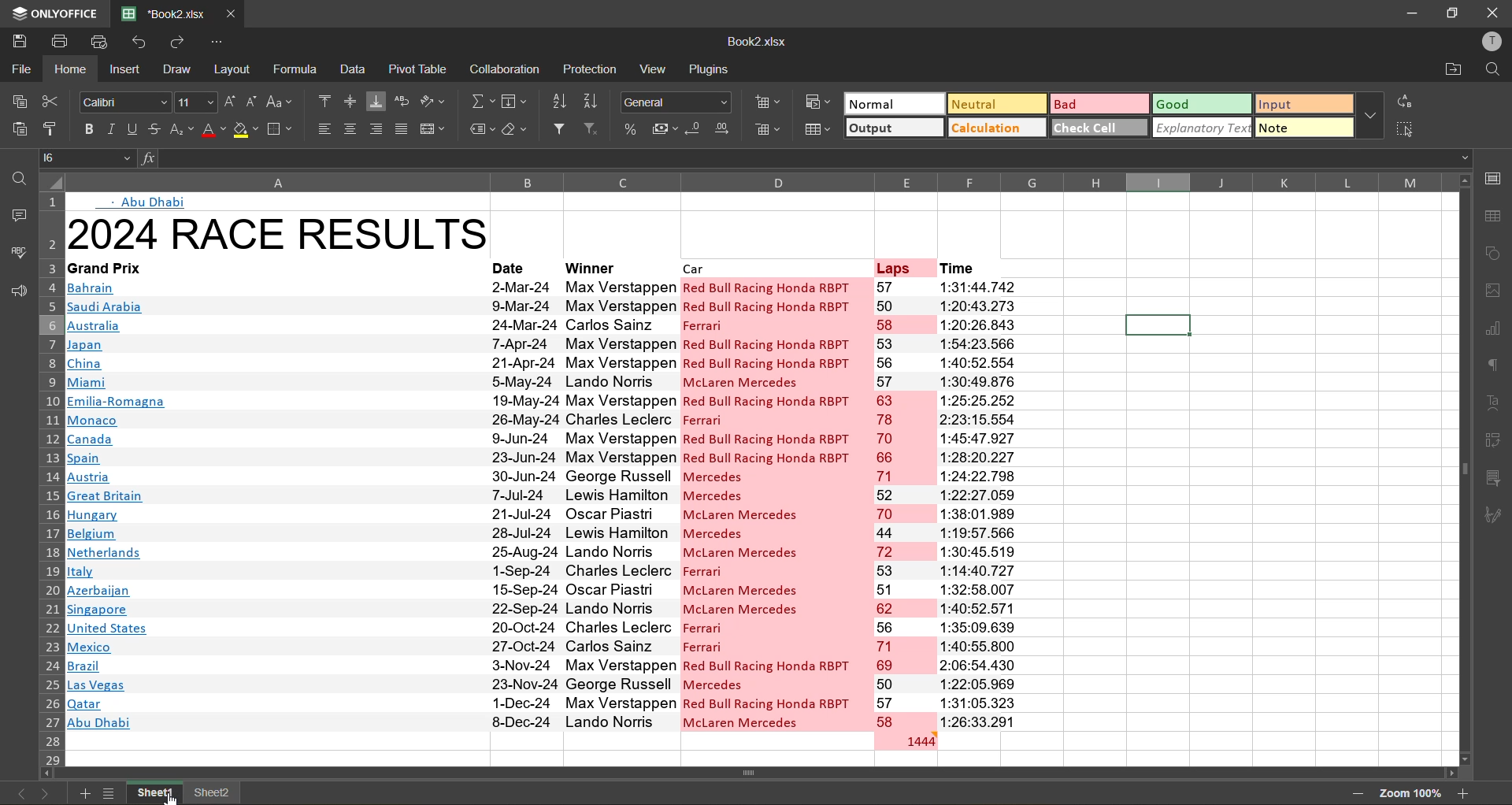 The image size is (1512, 805). What do you see at coordinates (726, 129) in the screenshot?
I see `increase decimal` at bounding box center [726, 129].